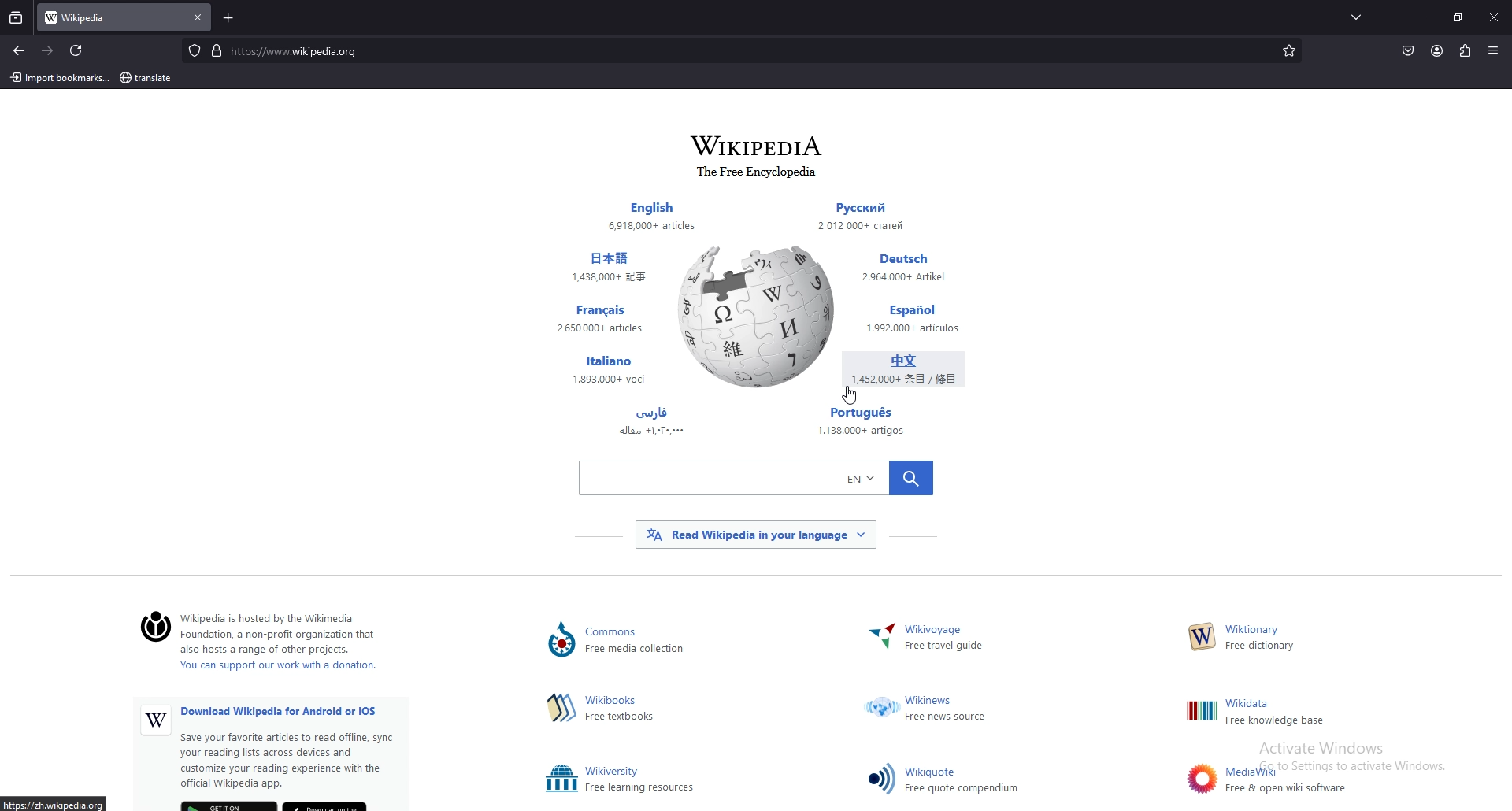  What do you see at coordinates (561, 780) in the screenshot?
I see `` at bounding box center [561, 780].